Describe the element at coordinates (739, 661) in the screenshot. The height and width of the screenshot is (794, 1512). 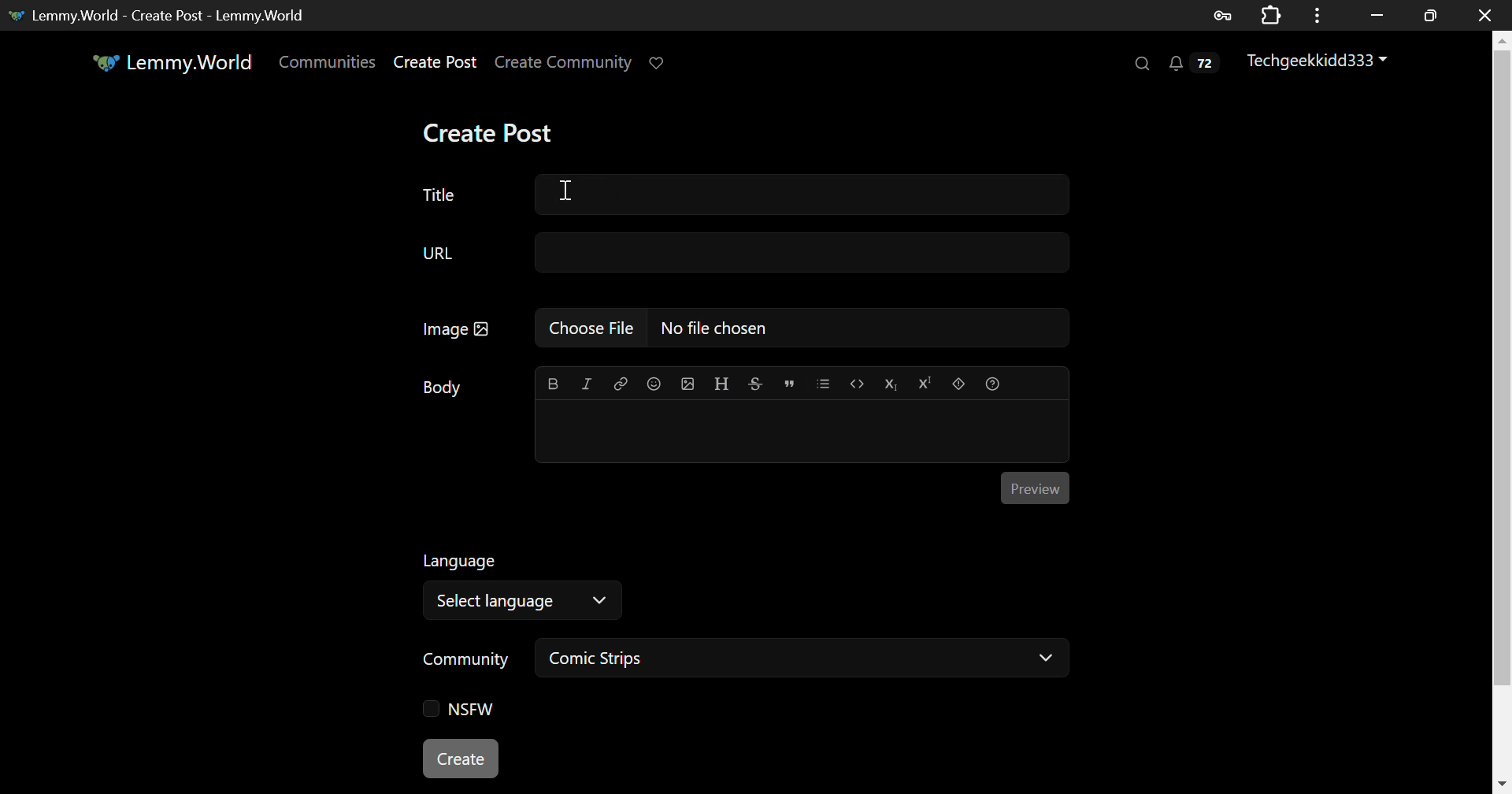
I see `Community: Comic Strips` at that location.